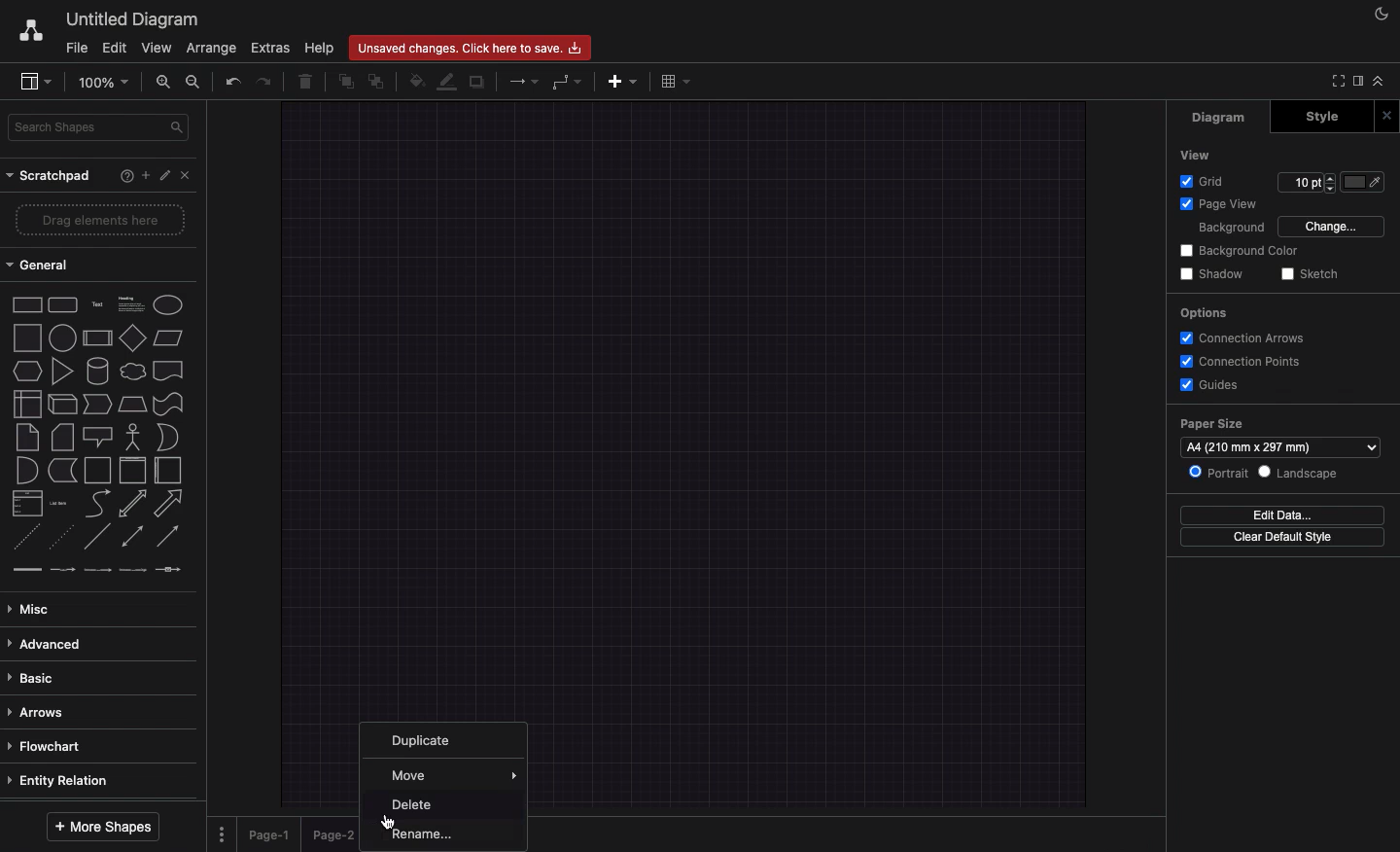 This screenshot has height=852, width=1400. Describe the element at coordinates (272, 834) in the screenshot. I see `Page 1` at that location.